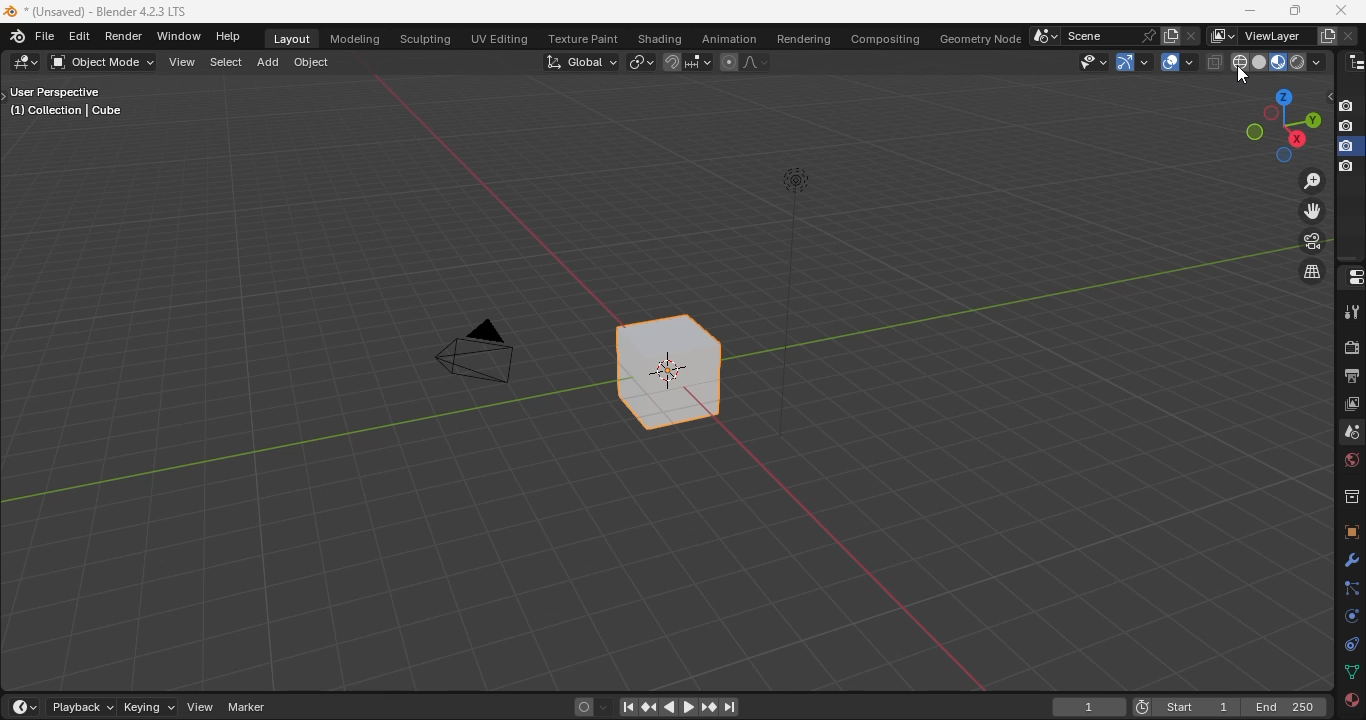  I want to click on keying, so click(150, 708).